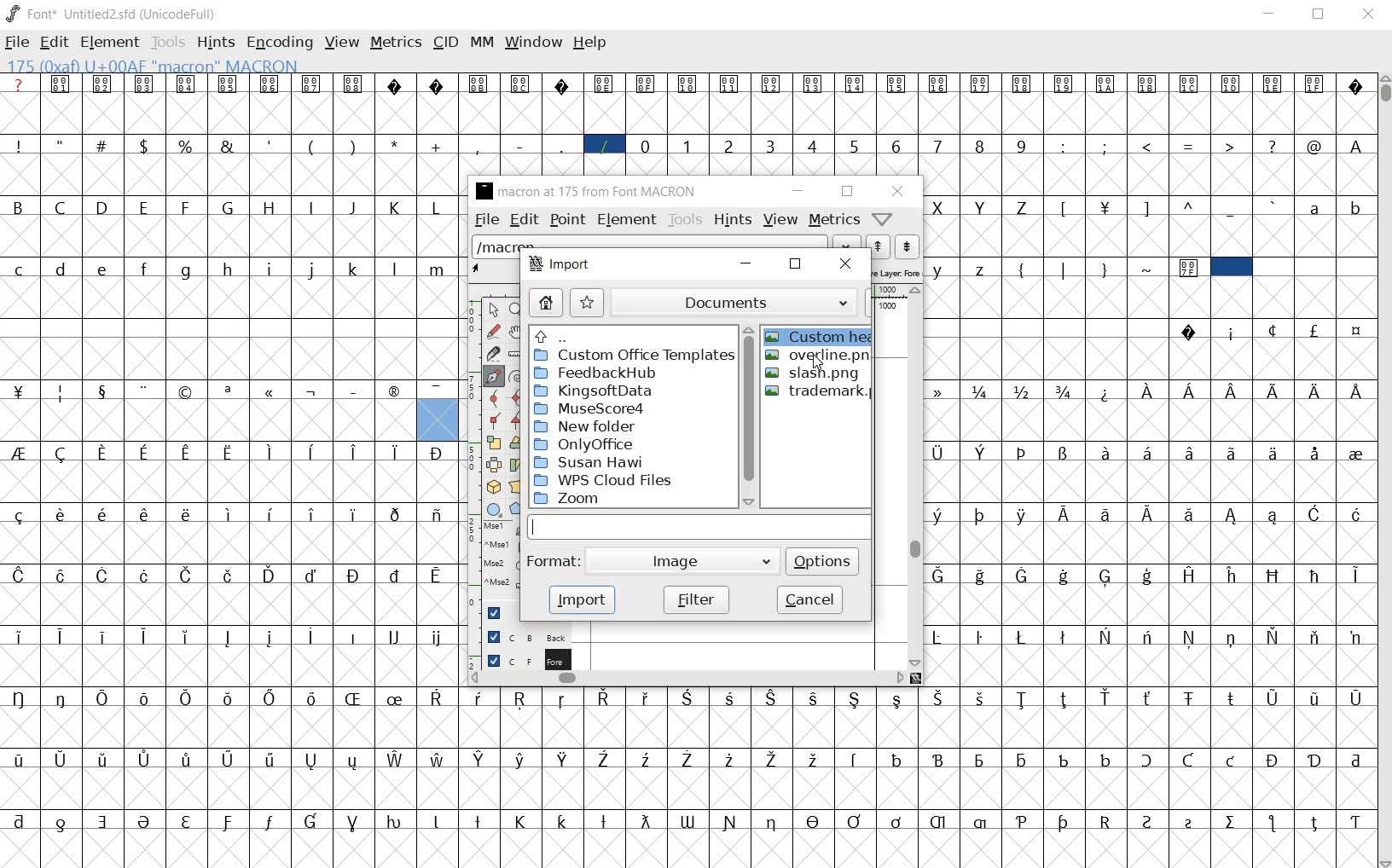 The height and width of the screenshot is (868, 1392). What do you see at coordinates (896, 758) in the screenshot?
I see `Symbol` at bounding box center [896, 758].